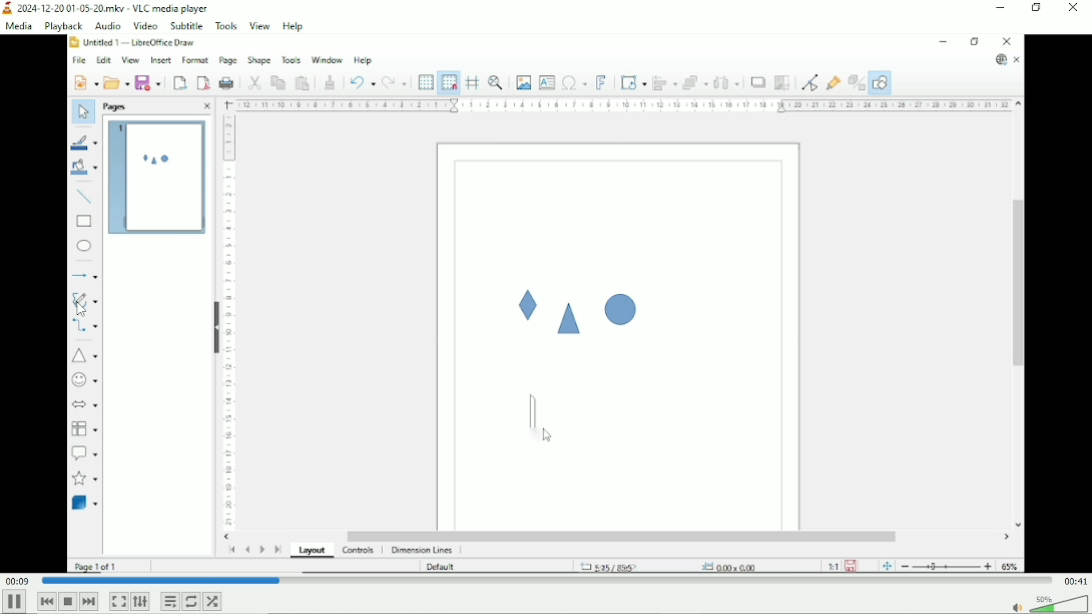 Image resolution: width=1092 pixels, height=614 pixels. I want to click on Random, so click(212, 601).